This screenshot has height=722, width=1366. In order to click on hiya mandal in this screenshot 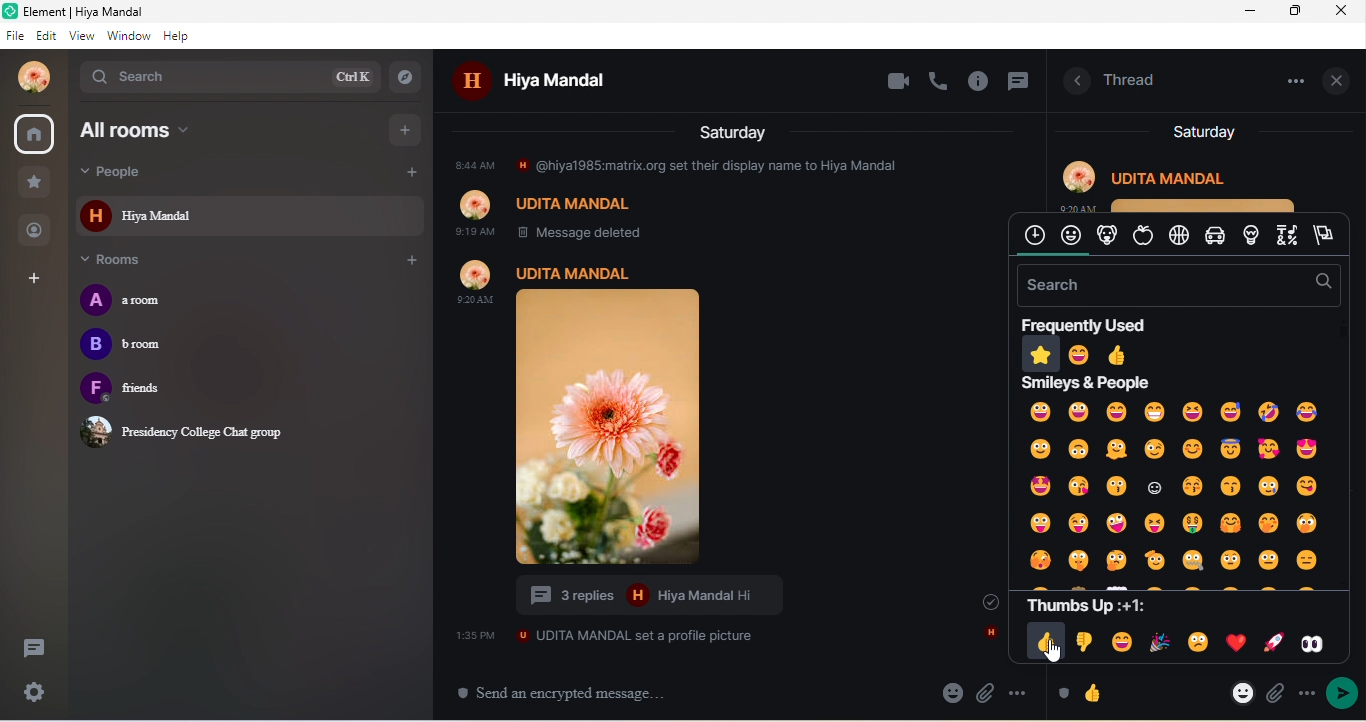, I will do `click(551, 83)`.